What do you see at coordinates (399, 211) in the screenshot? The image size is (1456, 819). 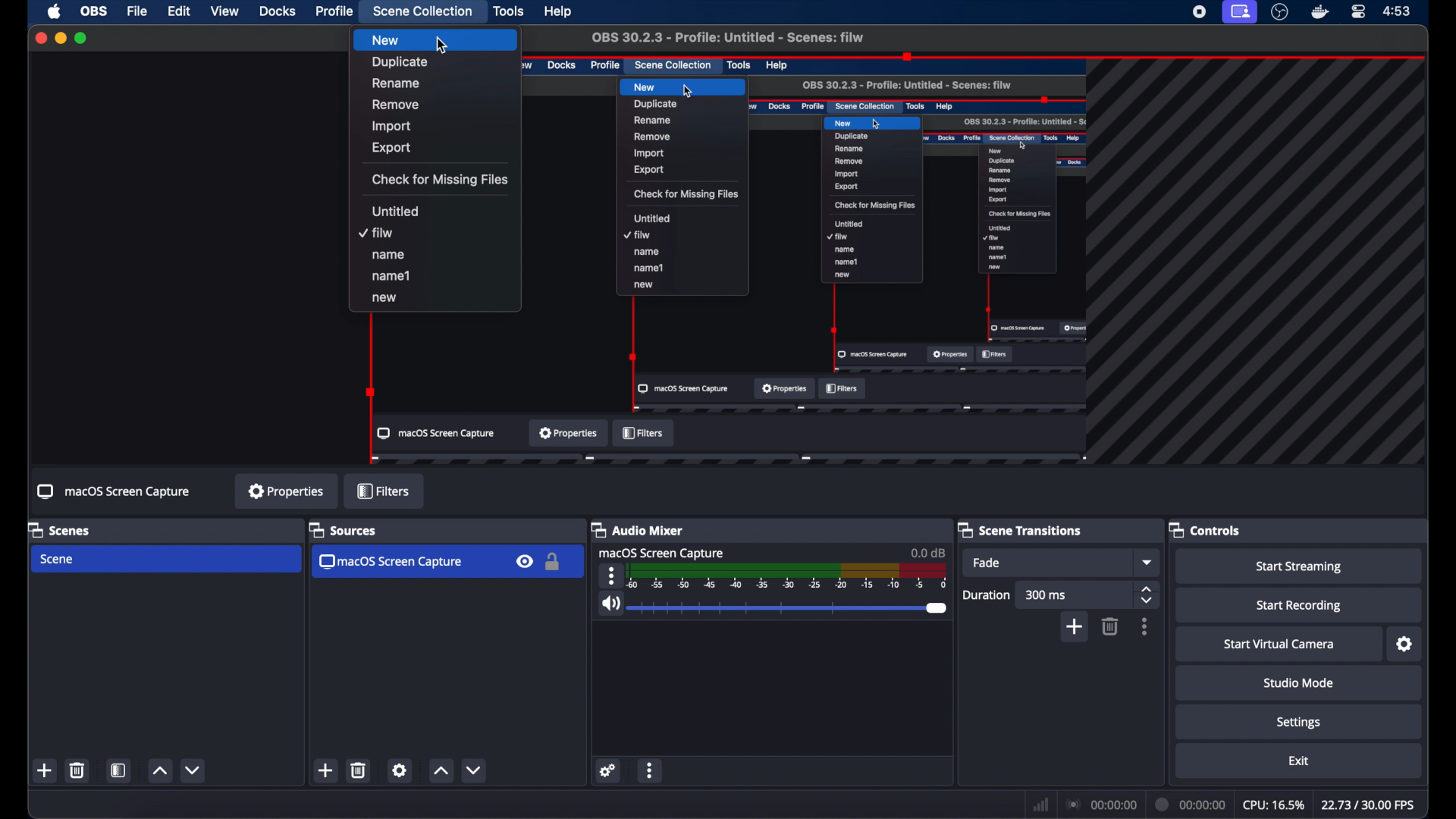 I see `untitled` at bounding box center [399, 211].